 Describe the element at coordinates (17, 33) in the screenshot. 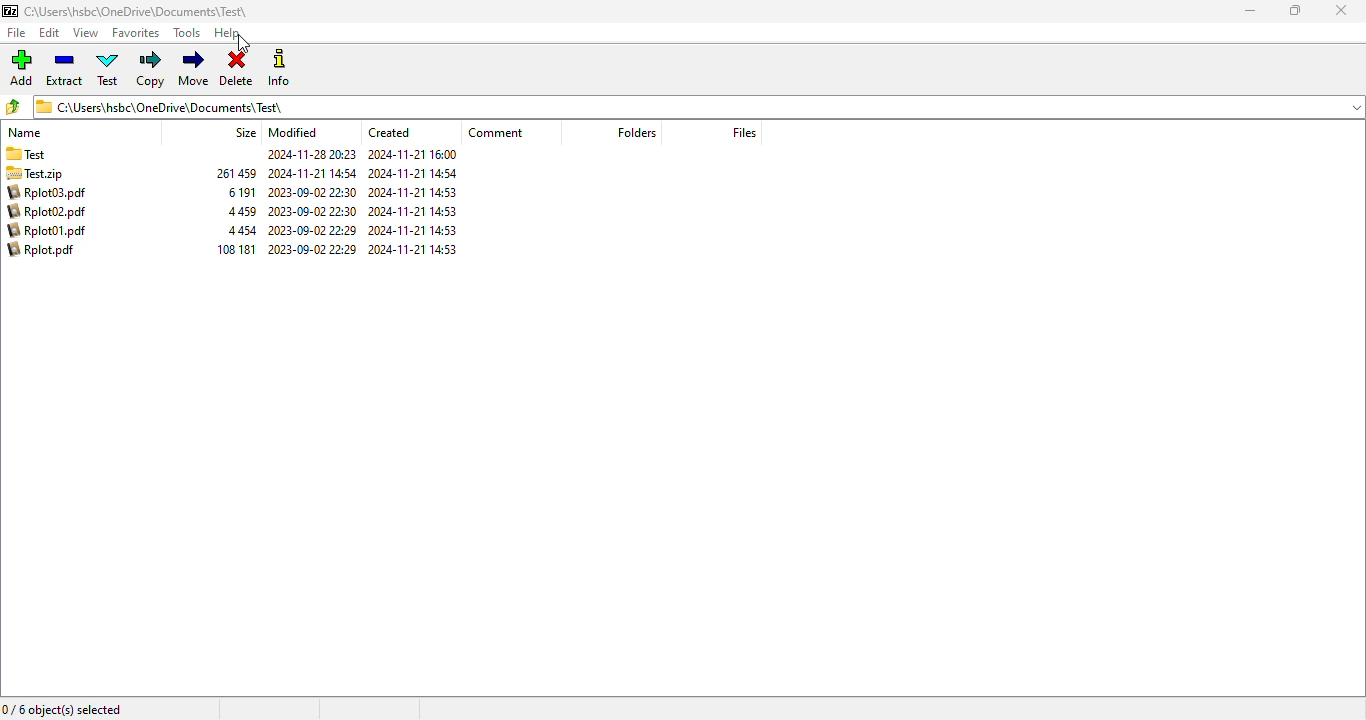

I see `file` at that location.